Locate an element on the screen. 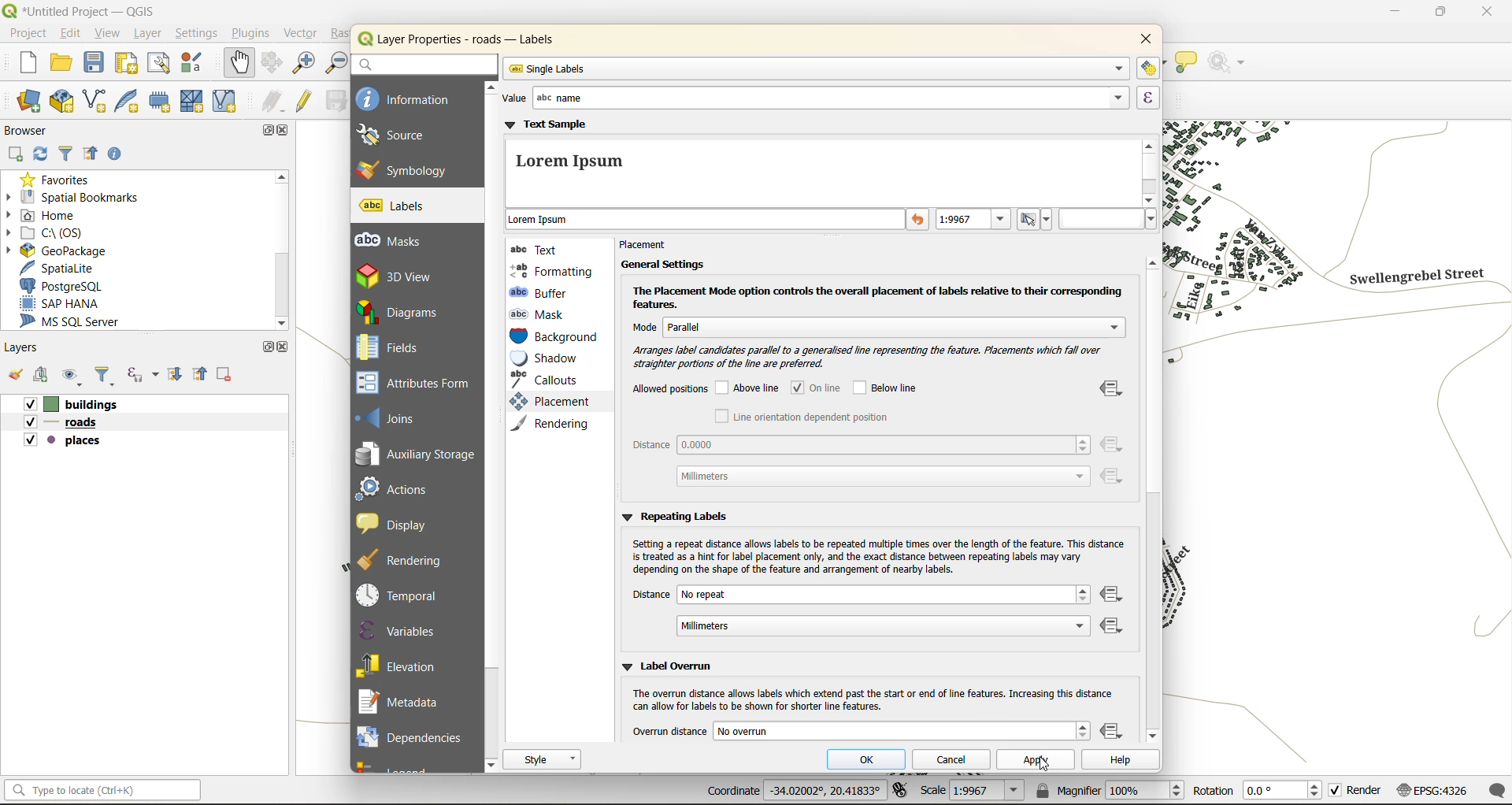  cursor is located at coordinates (1045, 767).